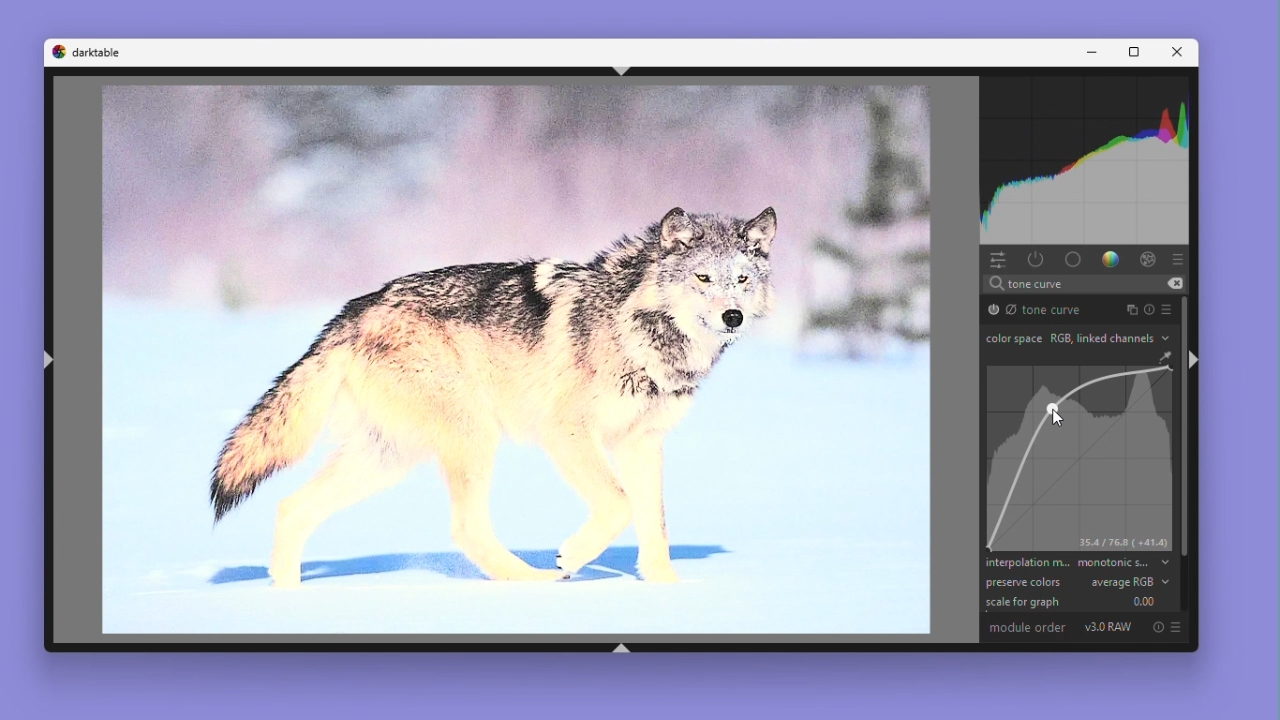 The width and height of the screenshot is (1280, 720). What do you see at coordinates (1108, 628) in the screenshot?
I see `V3.0 RAW` at bounding box center [1108, 628].